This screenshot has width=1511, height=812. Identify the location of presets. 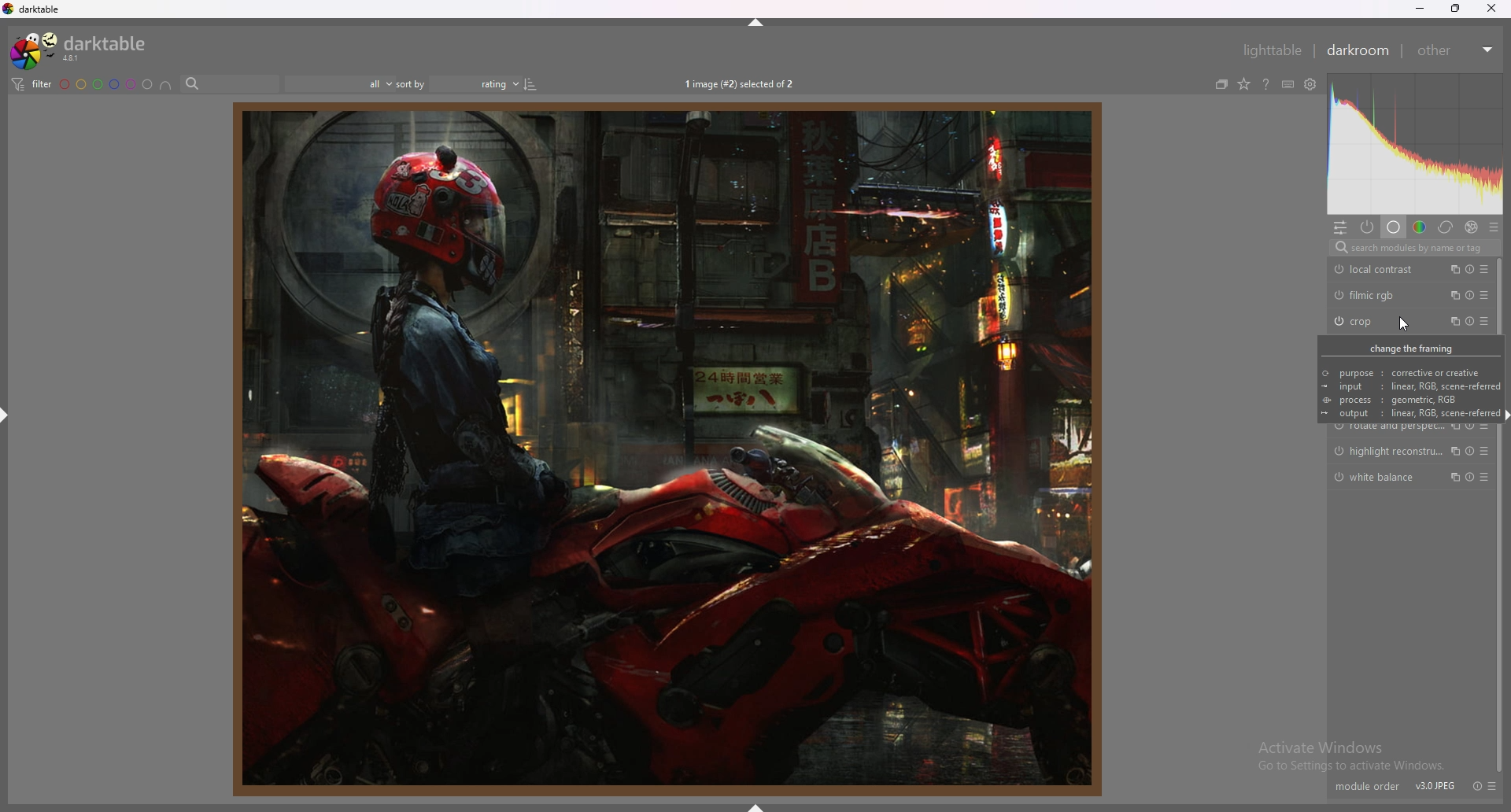
(1484, 269).